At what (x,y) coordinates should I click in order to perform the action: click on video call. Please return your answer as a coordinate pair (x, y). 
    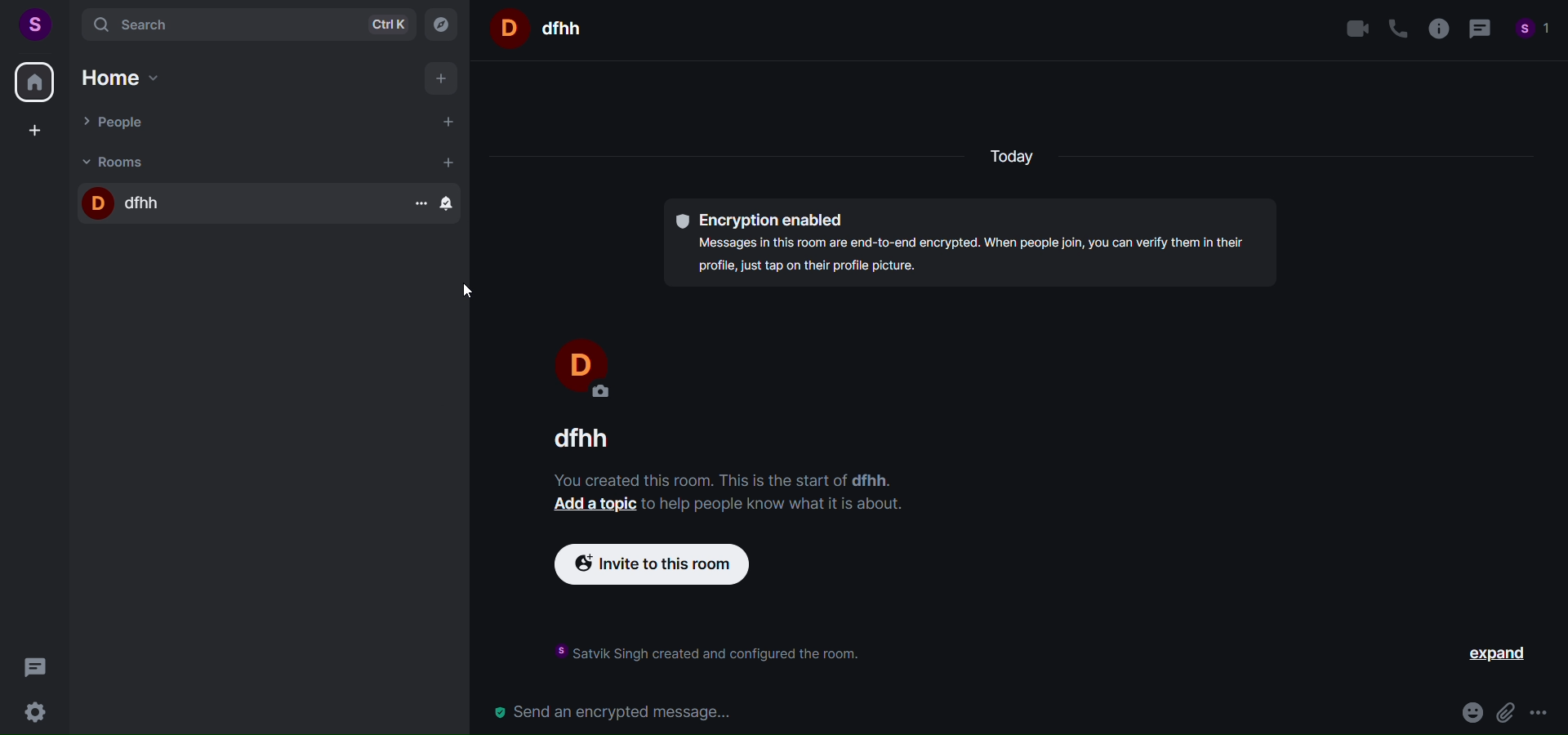
    Looking at the image, I should click on (1355, 28).